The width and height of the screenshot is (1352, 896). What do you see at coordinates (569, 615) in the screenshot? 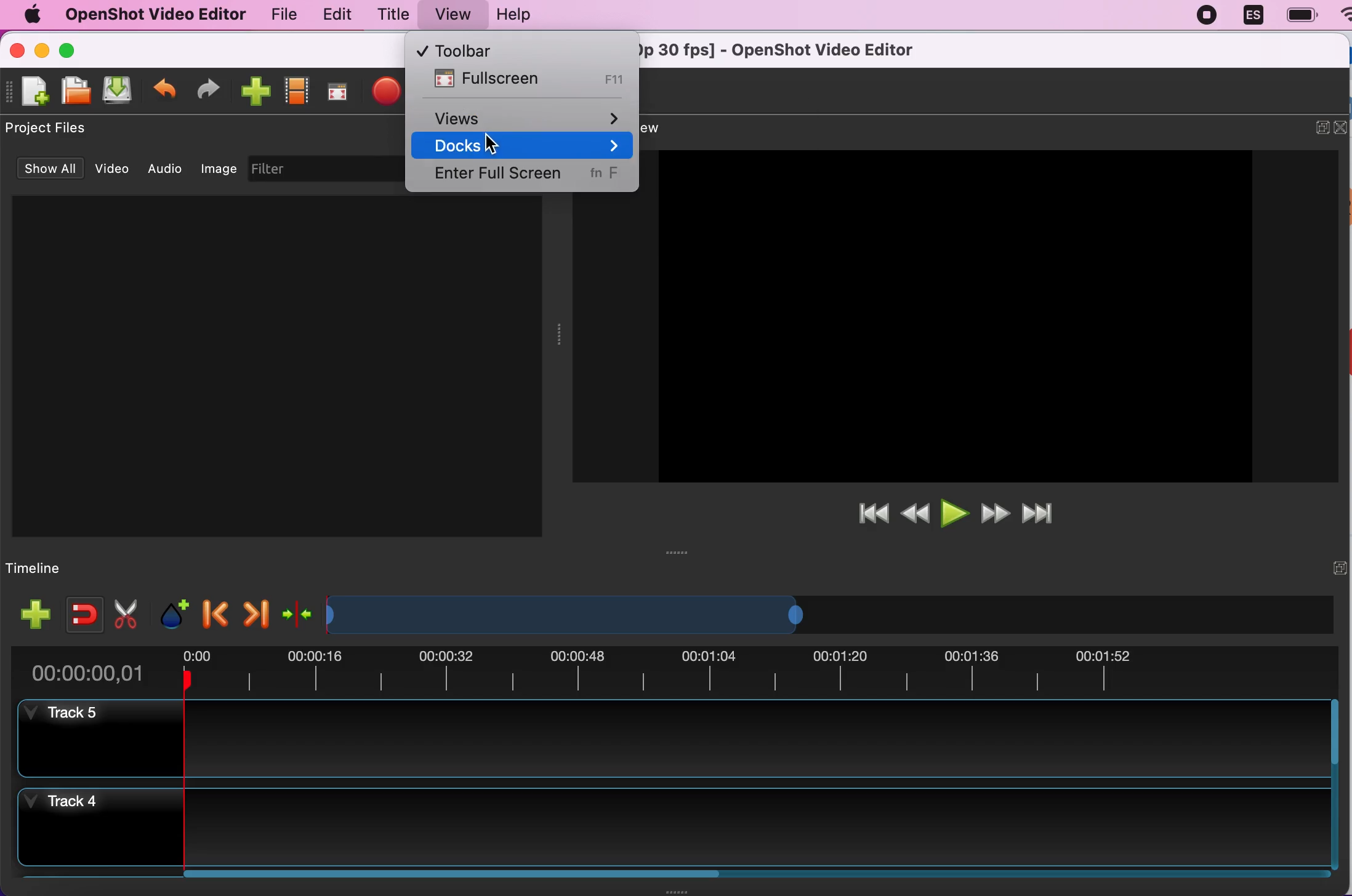
I see `Expand/Shrink timeline view` at bounding box center [569, 615].